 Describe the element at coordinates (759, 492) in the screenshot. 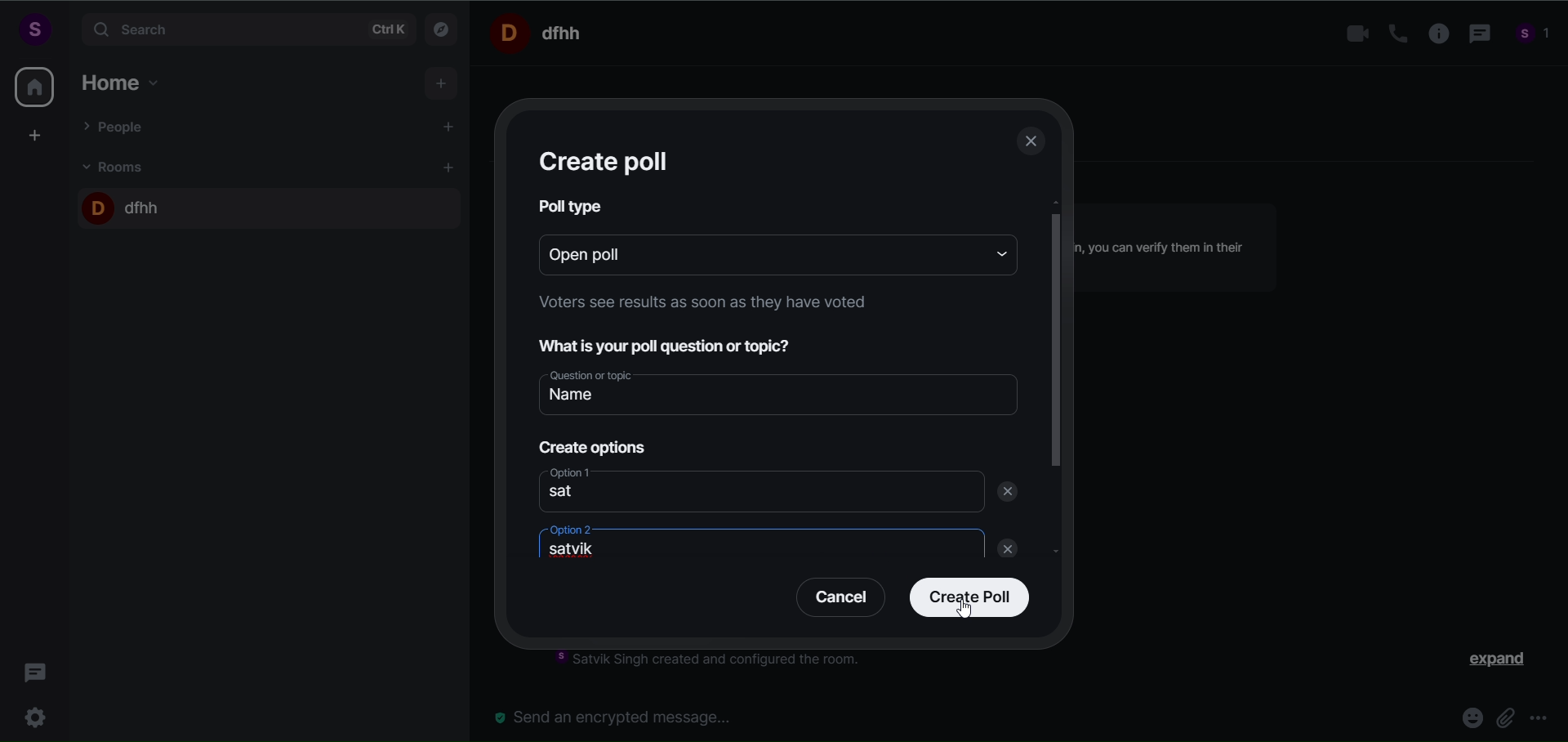

I see `option 1` at that location.